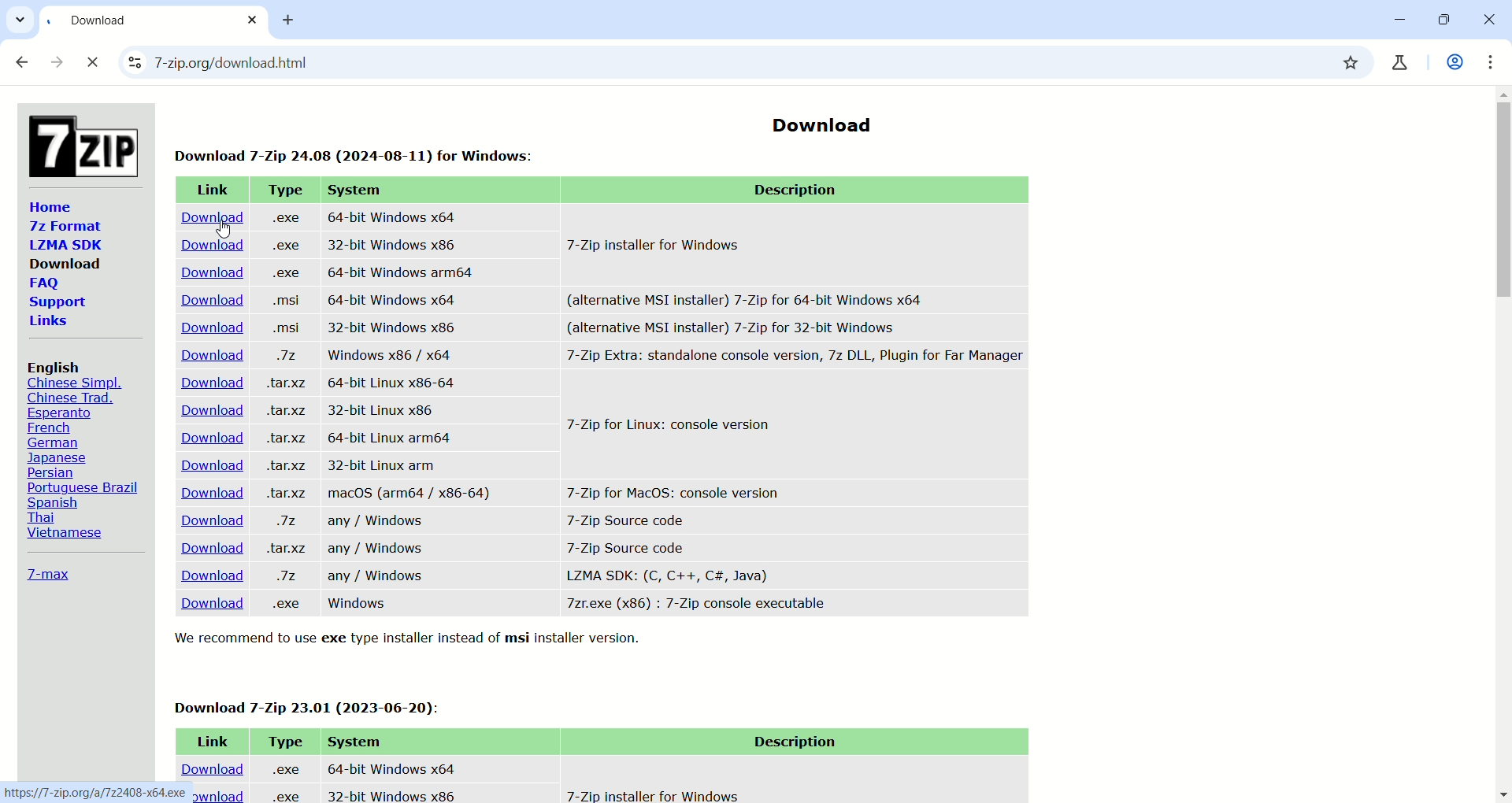  Describe the element at coordinates (387, 354) in the screenshot. I see `‘Windows x86 / x64` at that location.